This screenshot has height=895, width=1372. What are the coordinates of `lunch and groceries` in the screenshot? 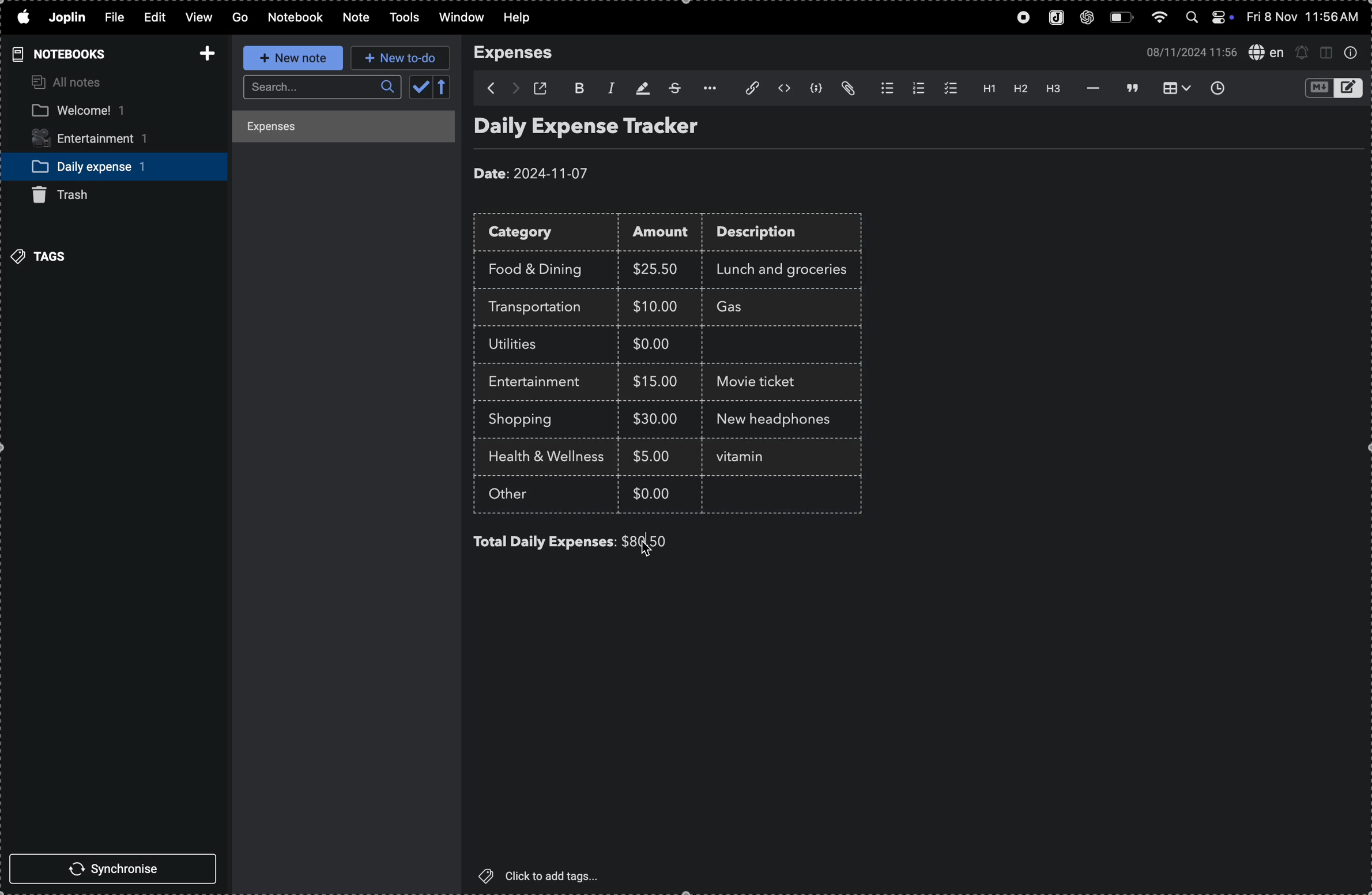 It's located at (789, 268).